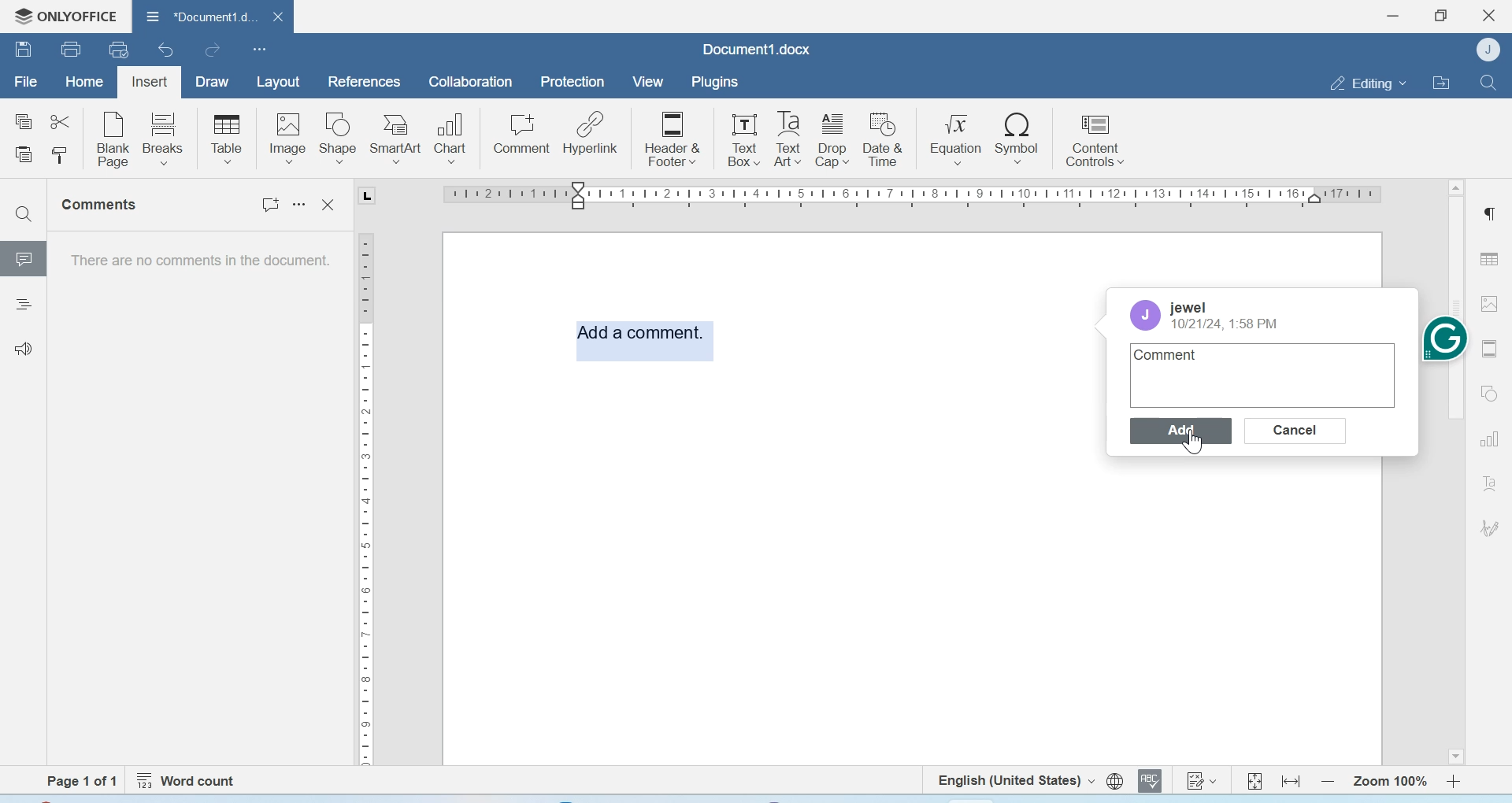 This screenshot has height=803, width=1512. Describe the element at coordinates (119, 49) in the screenshot. I see `Quick print` at that location.